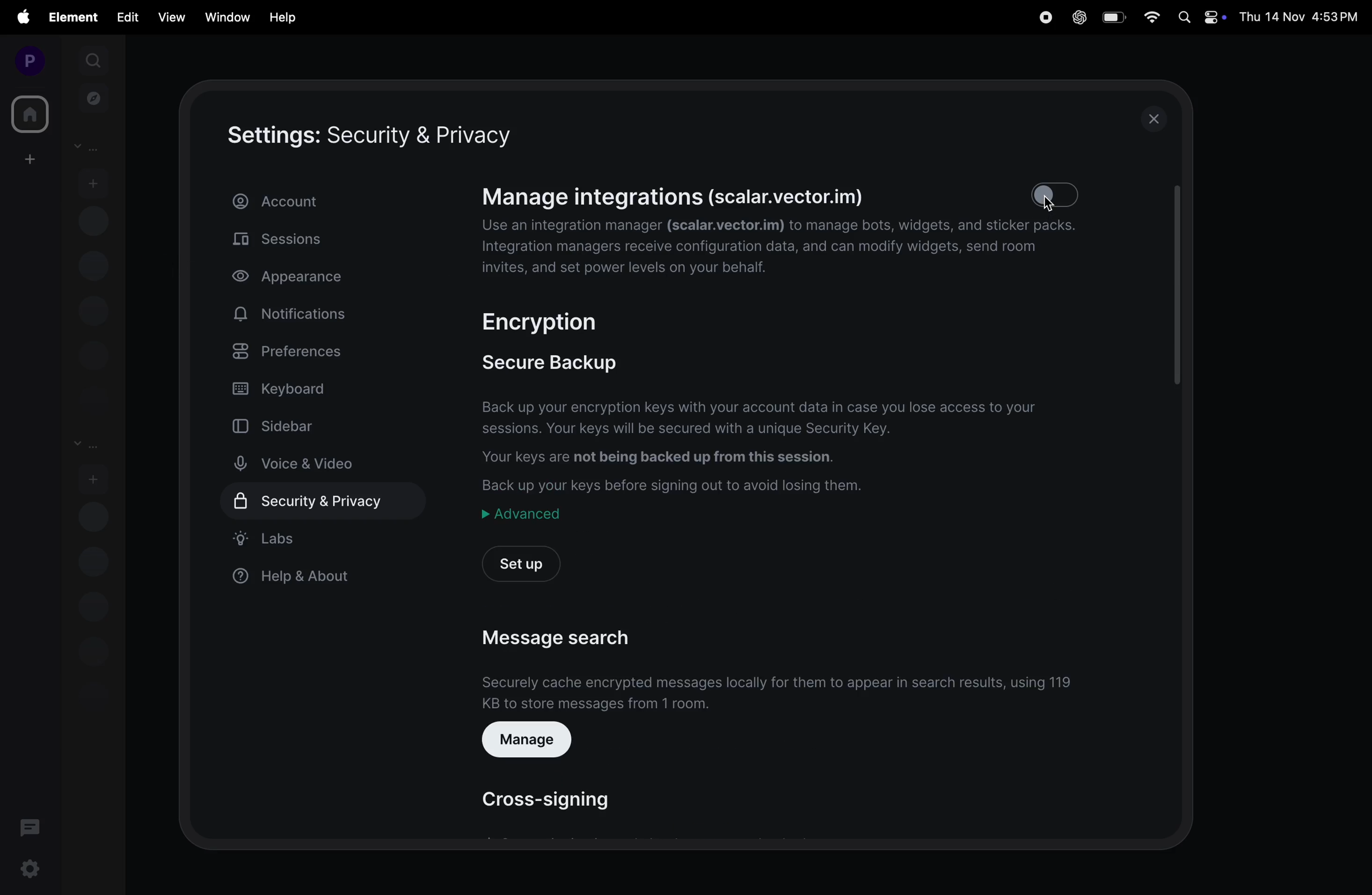 This screenshot has height=895, width=1372. I want to click on rooms, so click(86, 442).